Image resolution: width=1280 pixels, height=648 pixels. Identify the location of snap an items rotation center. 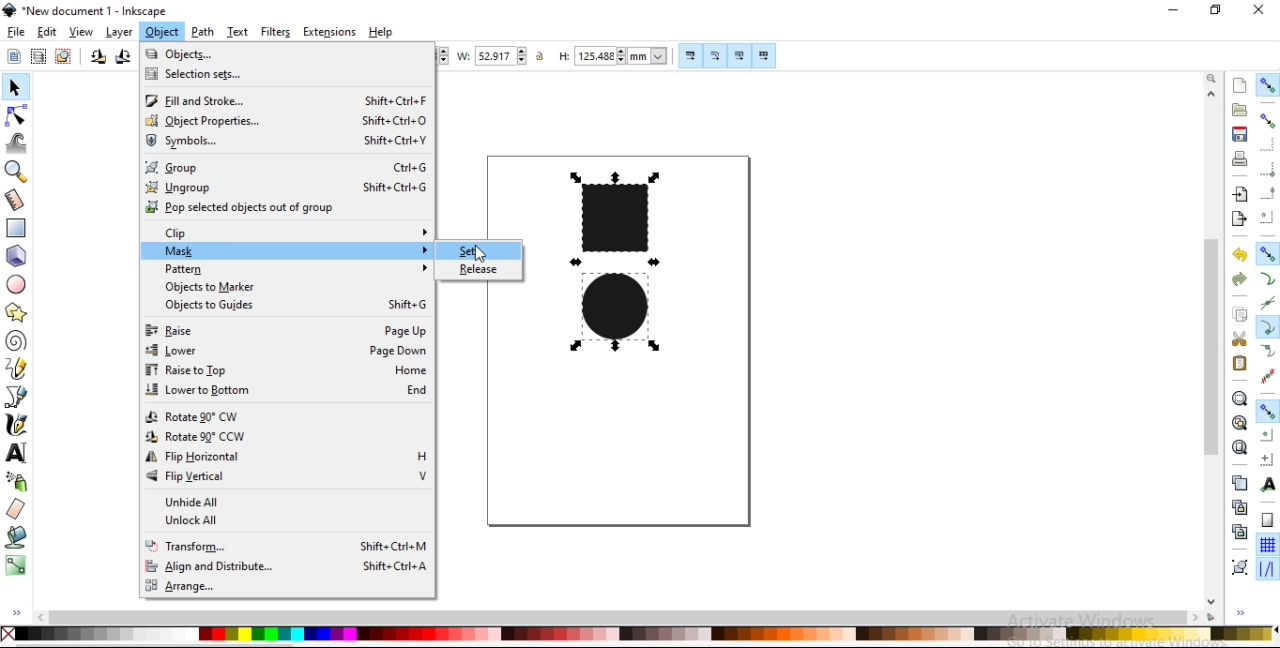
(1266, 458).